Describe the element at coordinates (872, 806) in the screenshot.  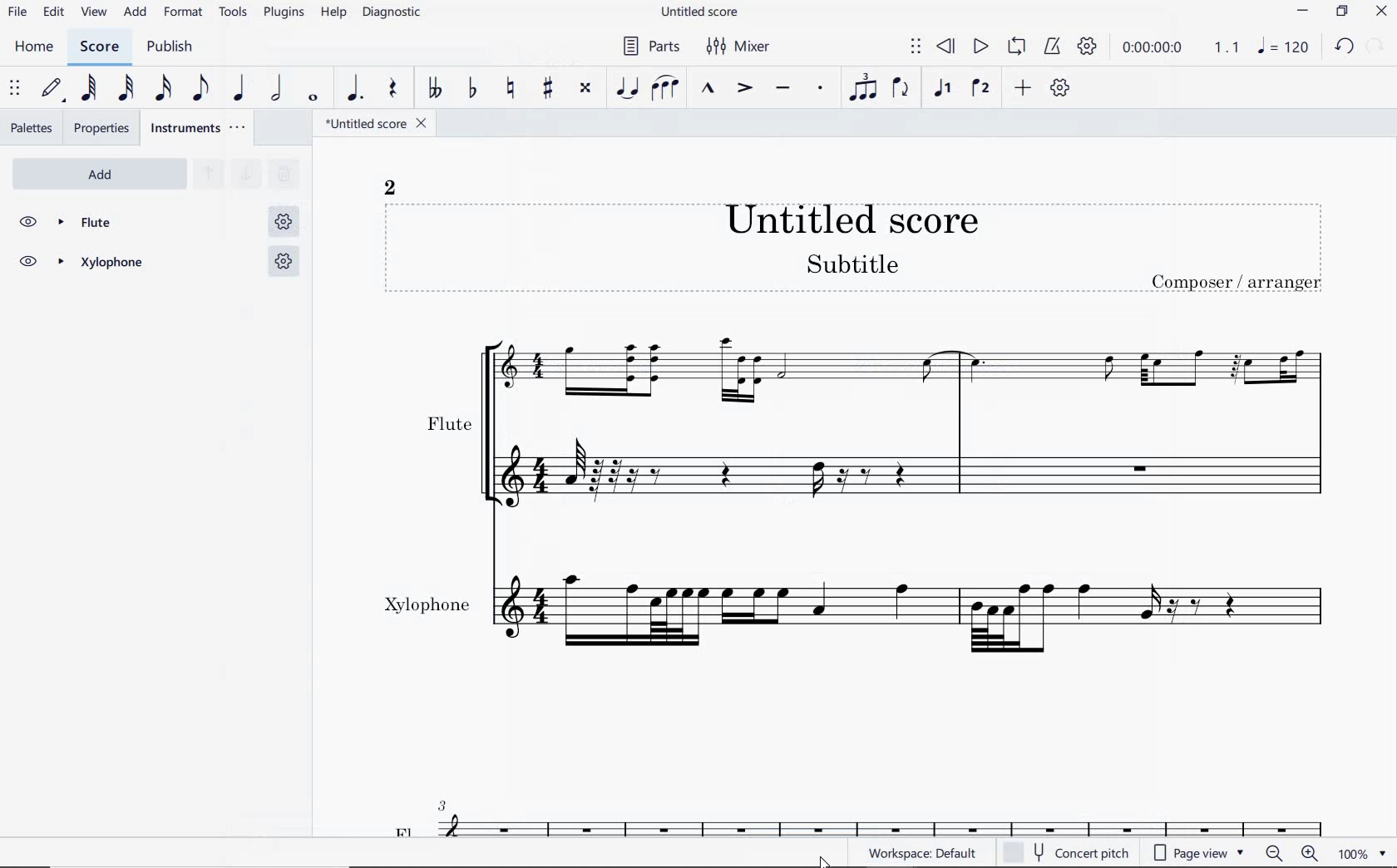
I see `Fl.` at that location.